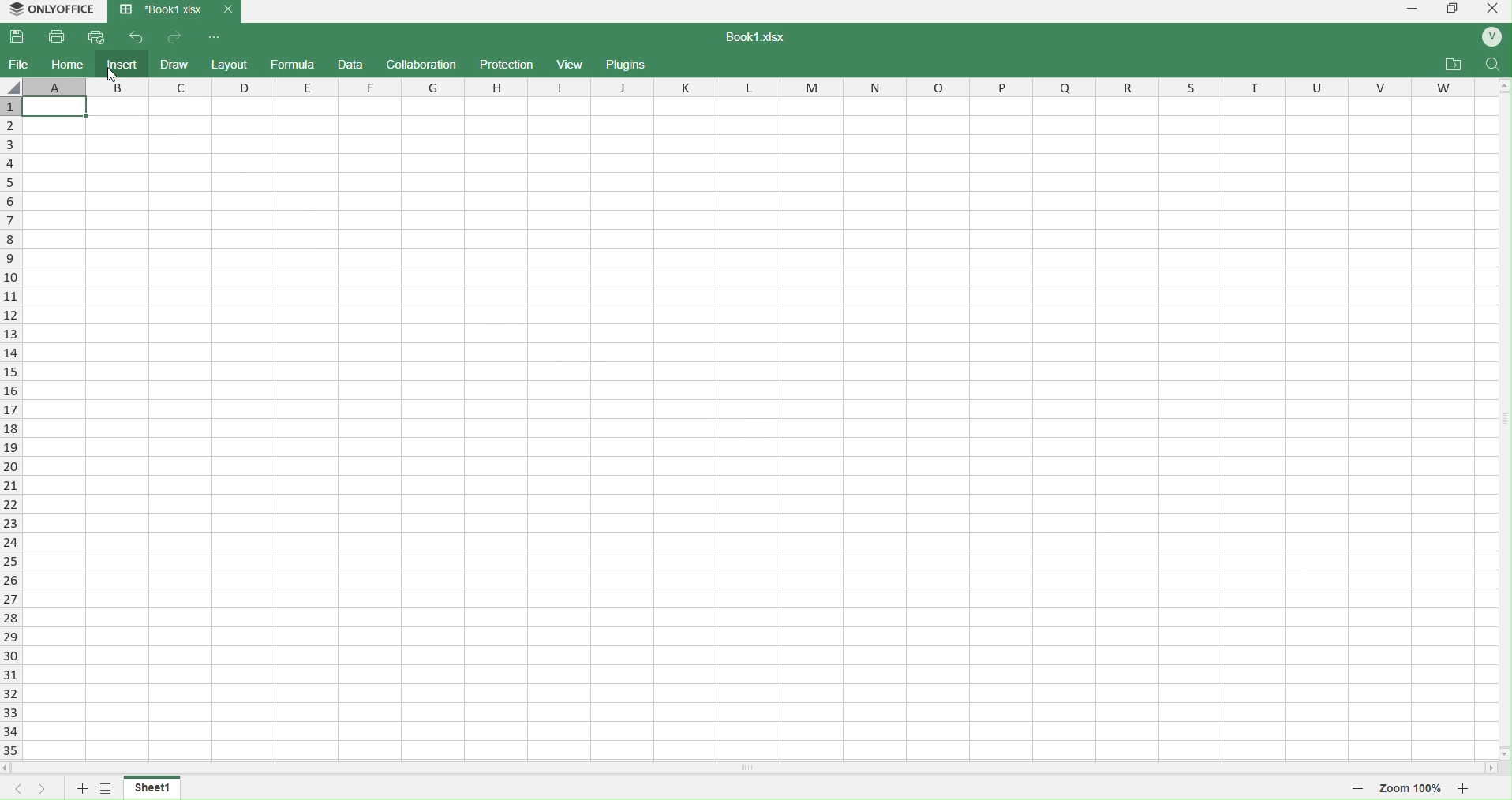 This screenshot has height=800, width=1512. What do you see at coordinates (159, 11) in the screenshot?
I see `Book1.xlsx` at bounding box center [159, 11].